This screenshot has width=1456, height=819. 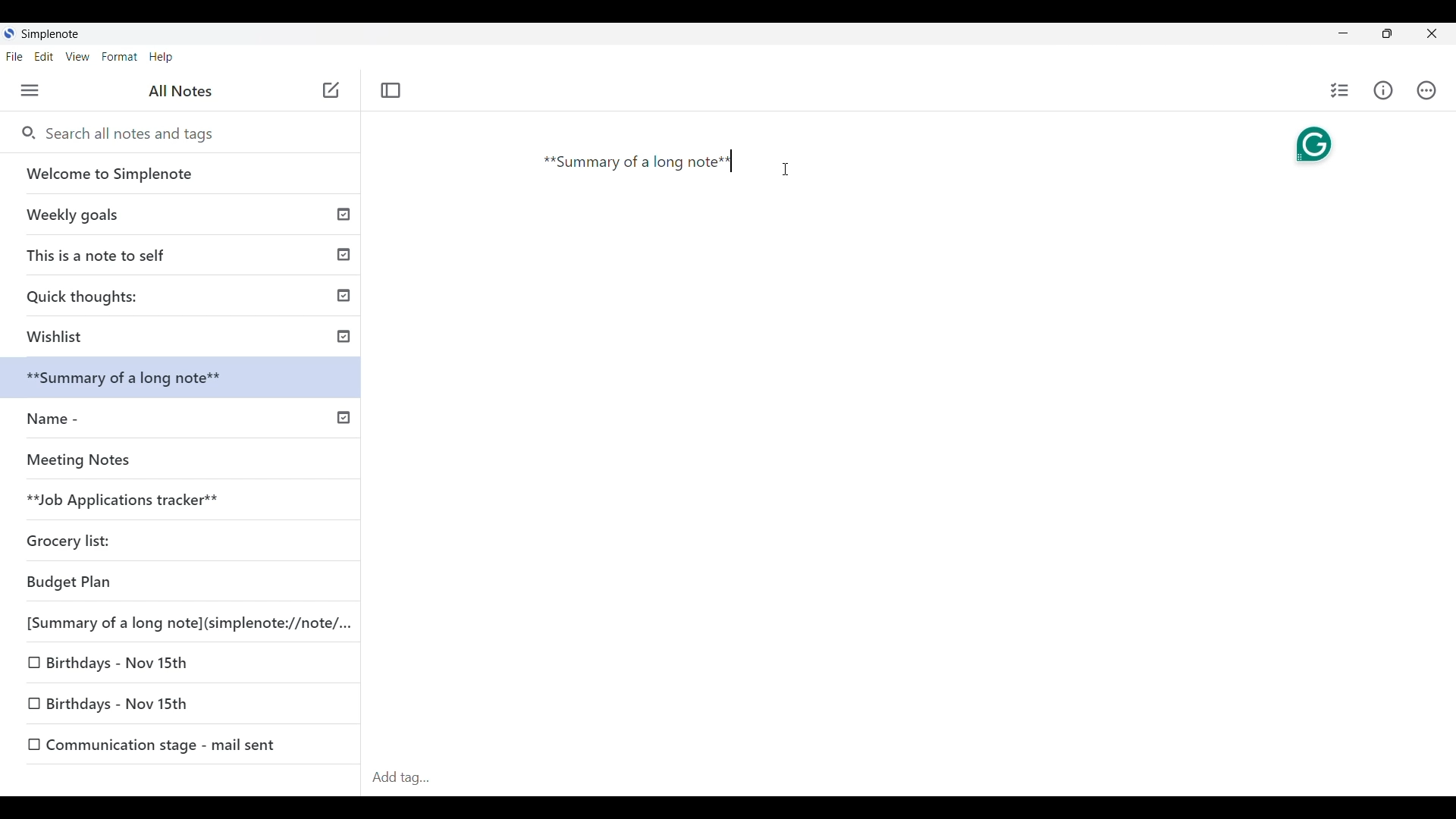 What do you see at coordinates (14, 56) in the screenshot?
I see `File` at bounding box center [14, 56].